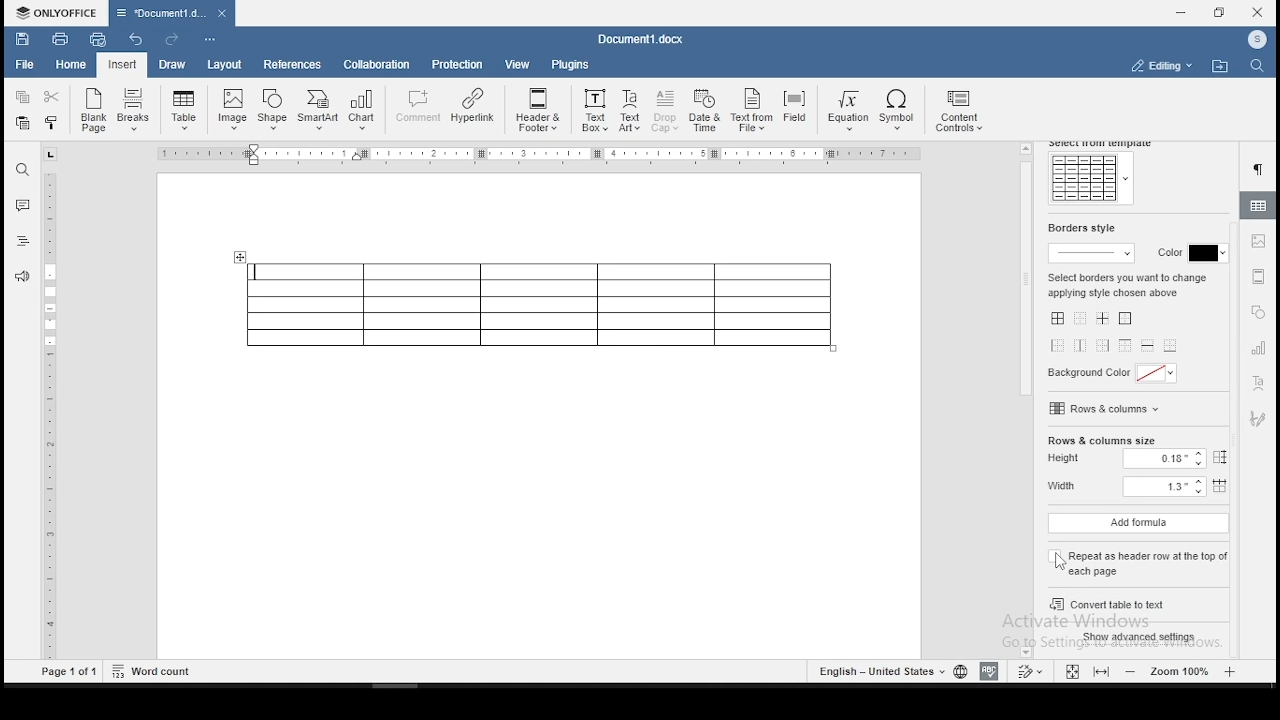 The image size is (1280, 720). Describe the element at coordinates (184, 110) in the screenshot. I see `insert a table` at that location.